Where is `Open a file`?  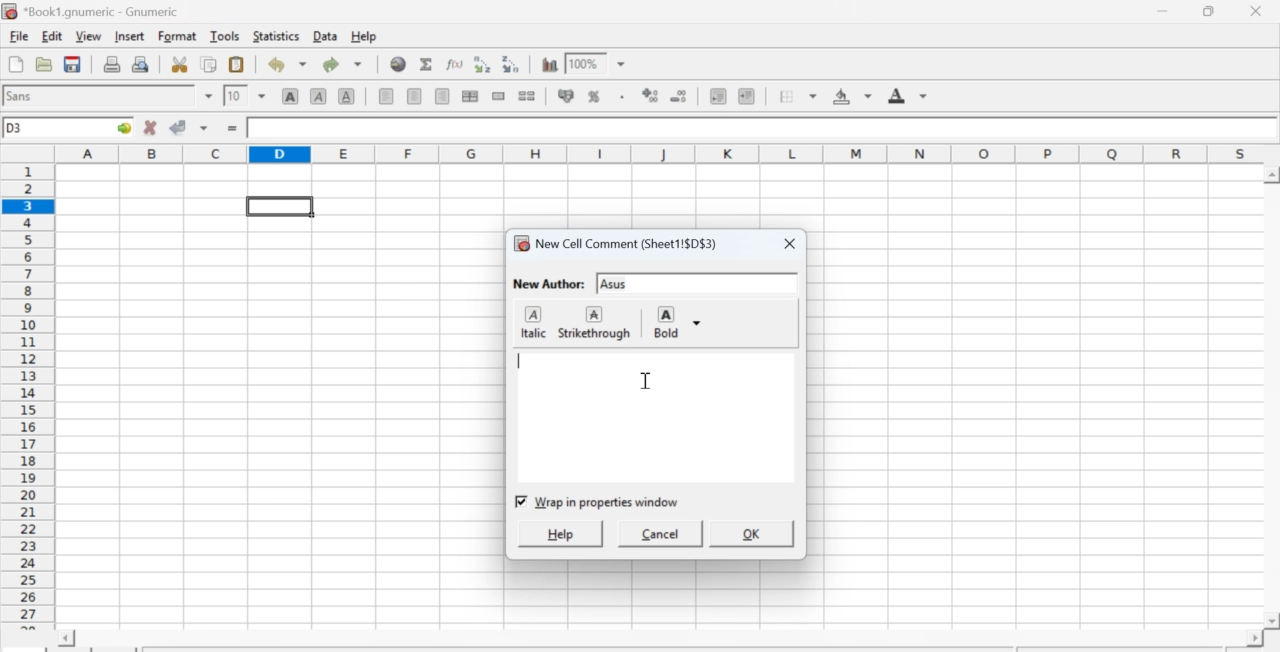 Open a file is located at coordinates (42, 65).